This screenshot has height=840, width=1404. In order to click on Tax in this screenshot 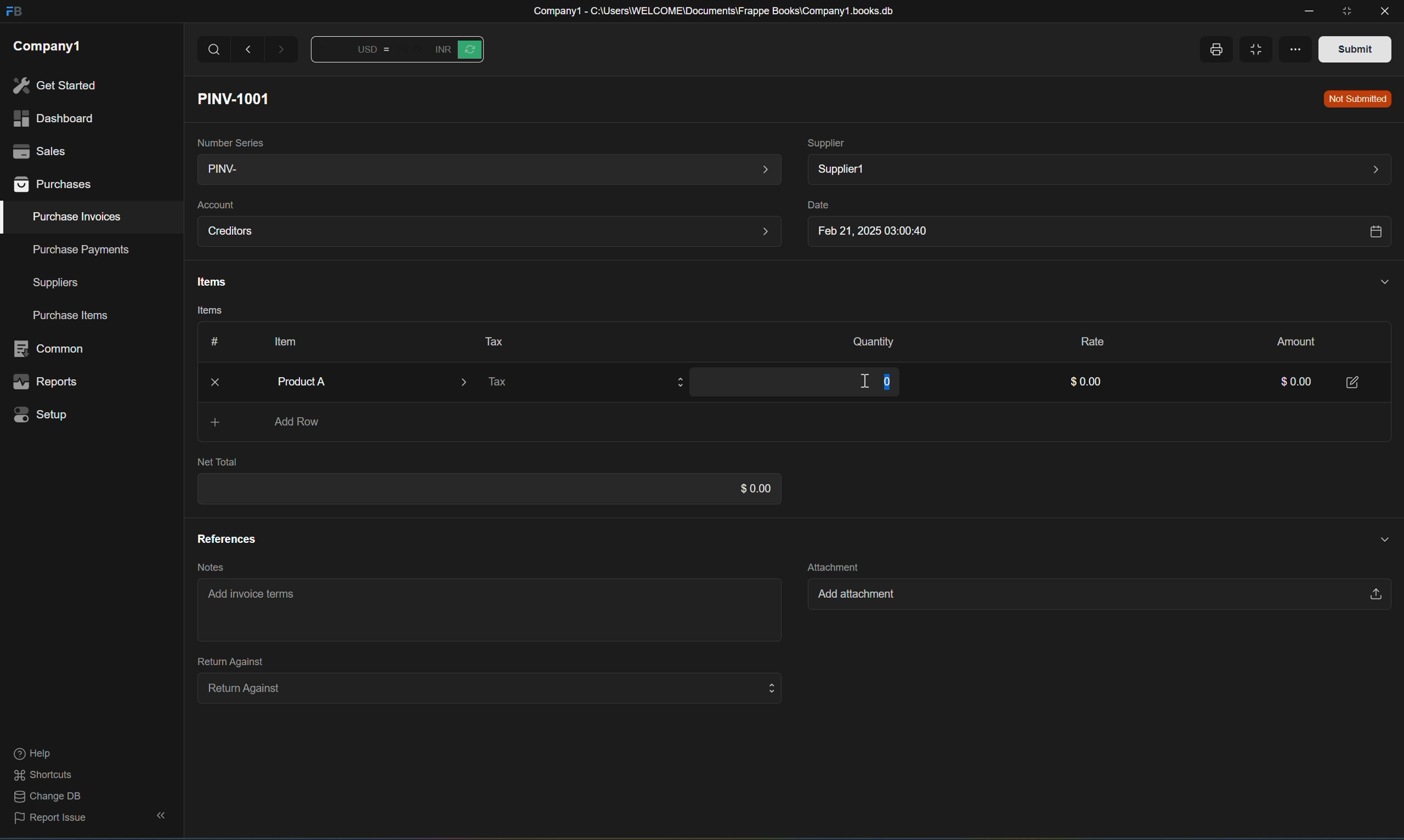, I will do `click(584, 384)`.